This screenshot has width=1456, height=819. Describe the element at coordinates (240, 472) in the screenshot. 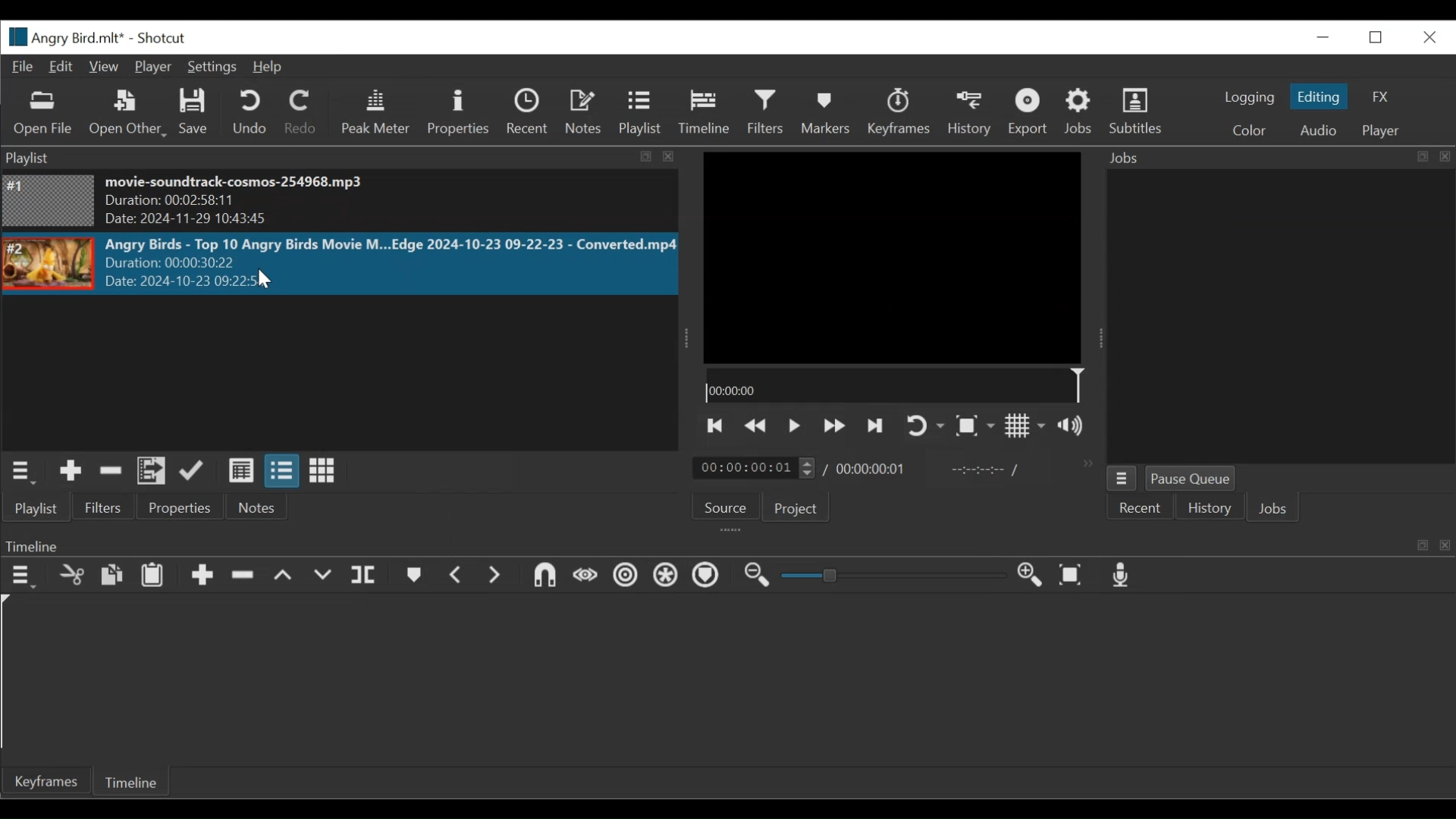

I see `View as details` at that location.